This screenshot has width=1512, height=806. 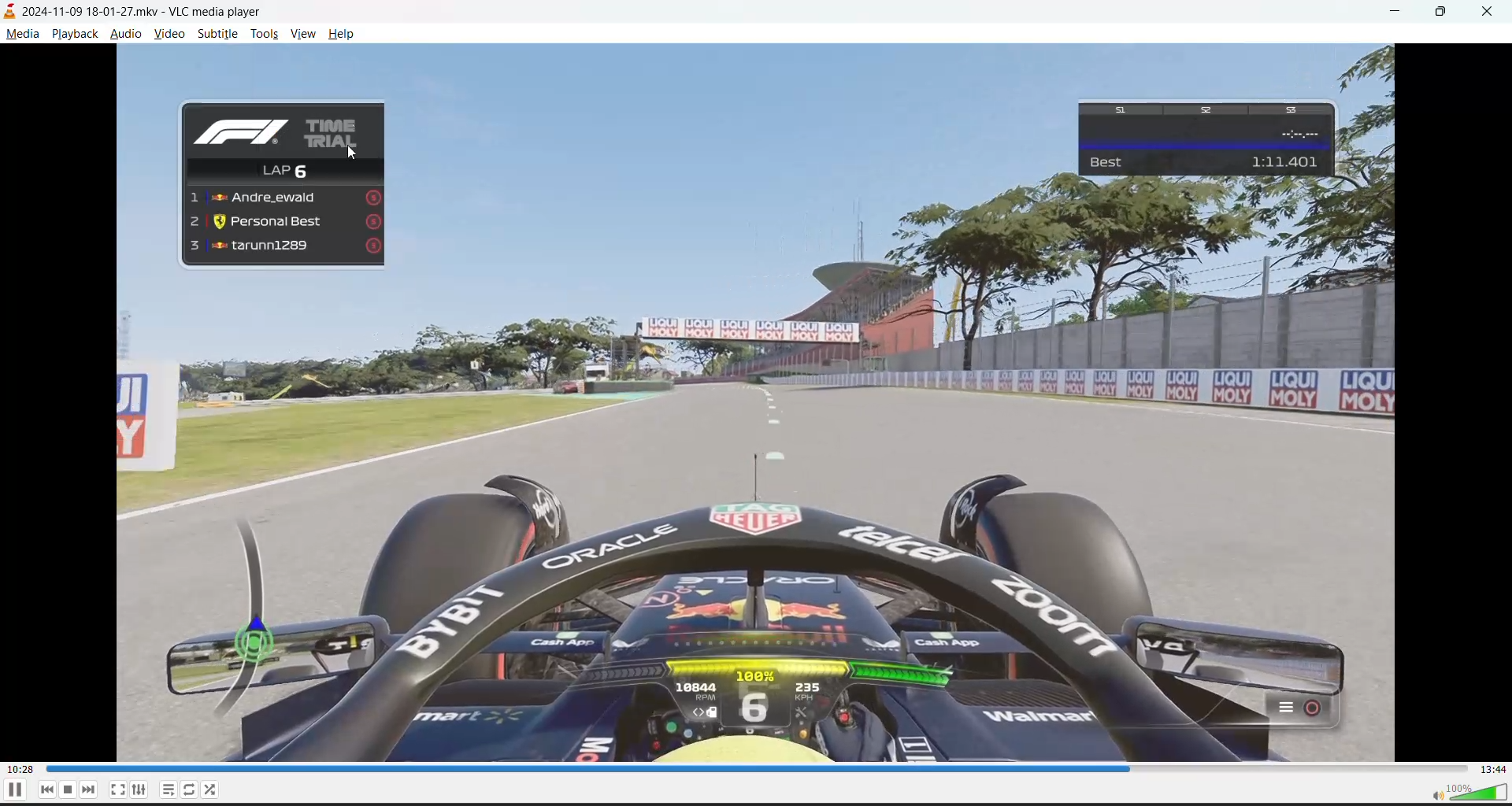 I want to click on 2024-11-09 18-01-27.mkv - VLC media player, so click(x=134, y=11).